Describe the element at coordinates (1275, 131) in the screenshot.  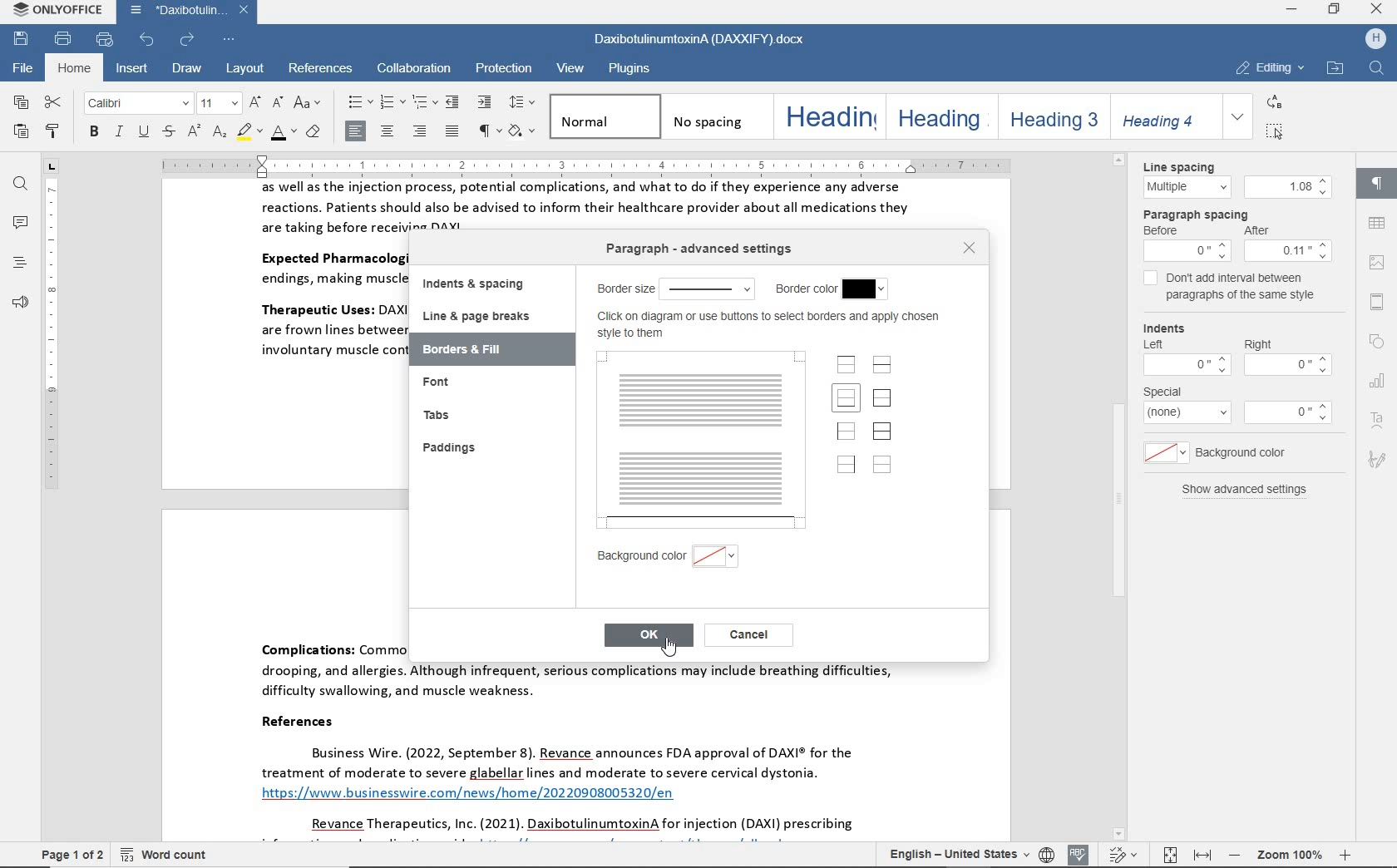
I see `select all` at that location.